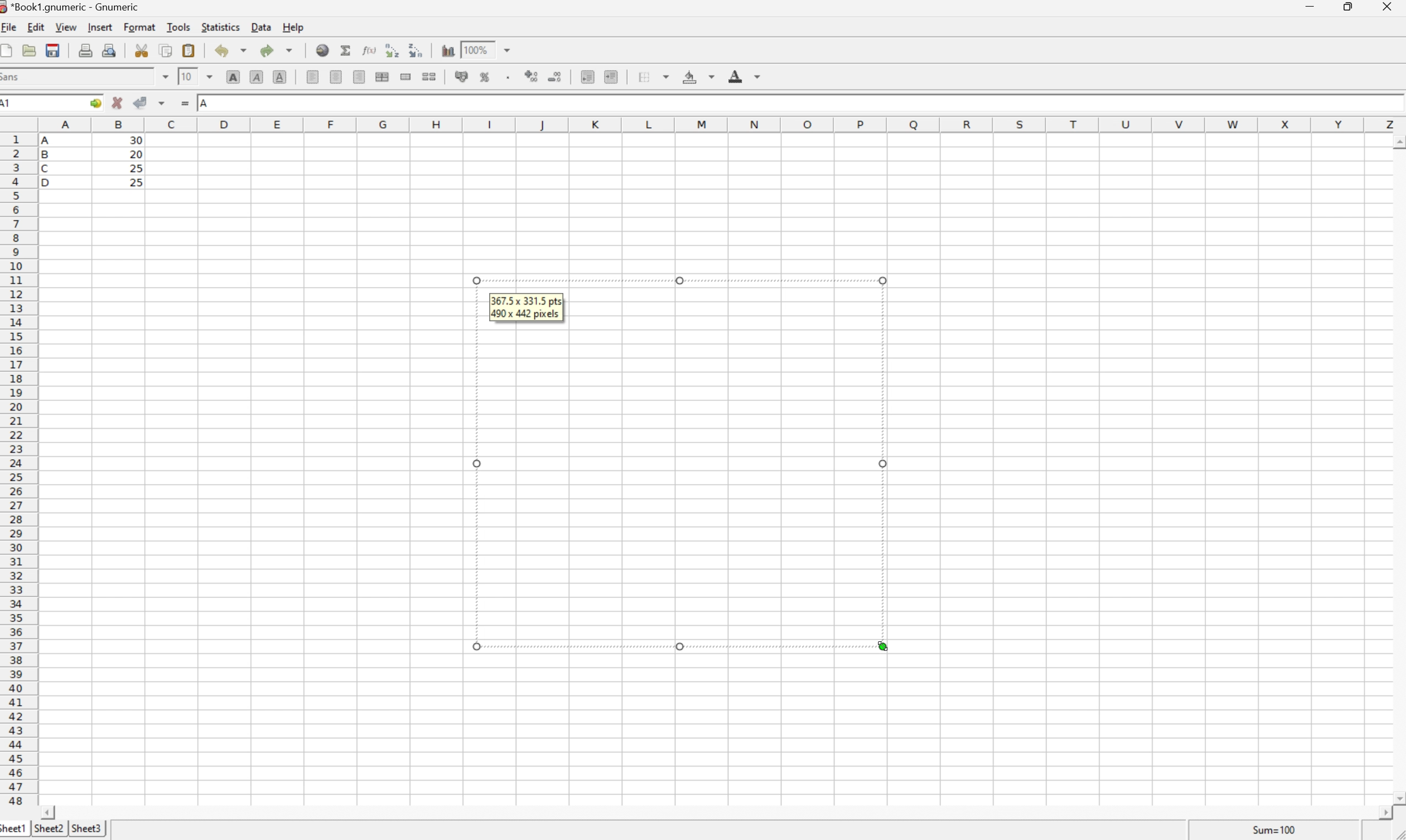 The image size is (1406, 840). Describe the element at coordinates (139, 102) in the screenshot. I see `Accept Changes` at that location.